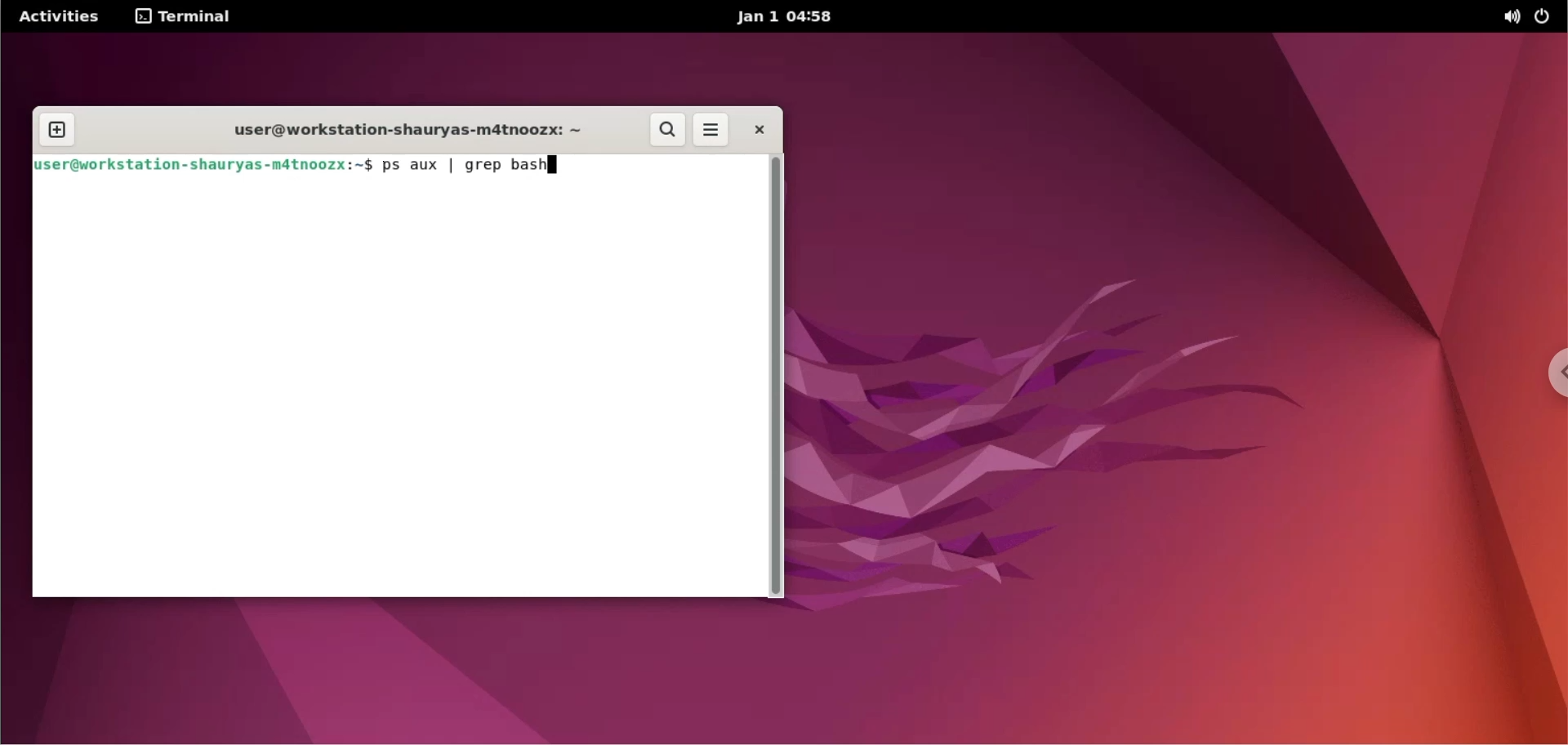 The image size is (1568, 745). I want to click on terminal, so click(185, 17).